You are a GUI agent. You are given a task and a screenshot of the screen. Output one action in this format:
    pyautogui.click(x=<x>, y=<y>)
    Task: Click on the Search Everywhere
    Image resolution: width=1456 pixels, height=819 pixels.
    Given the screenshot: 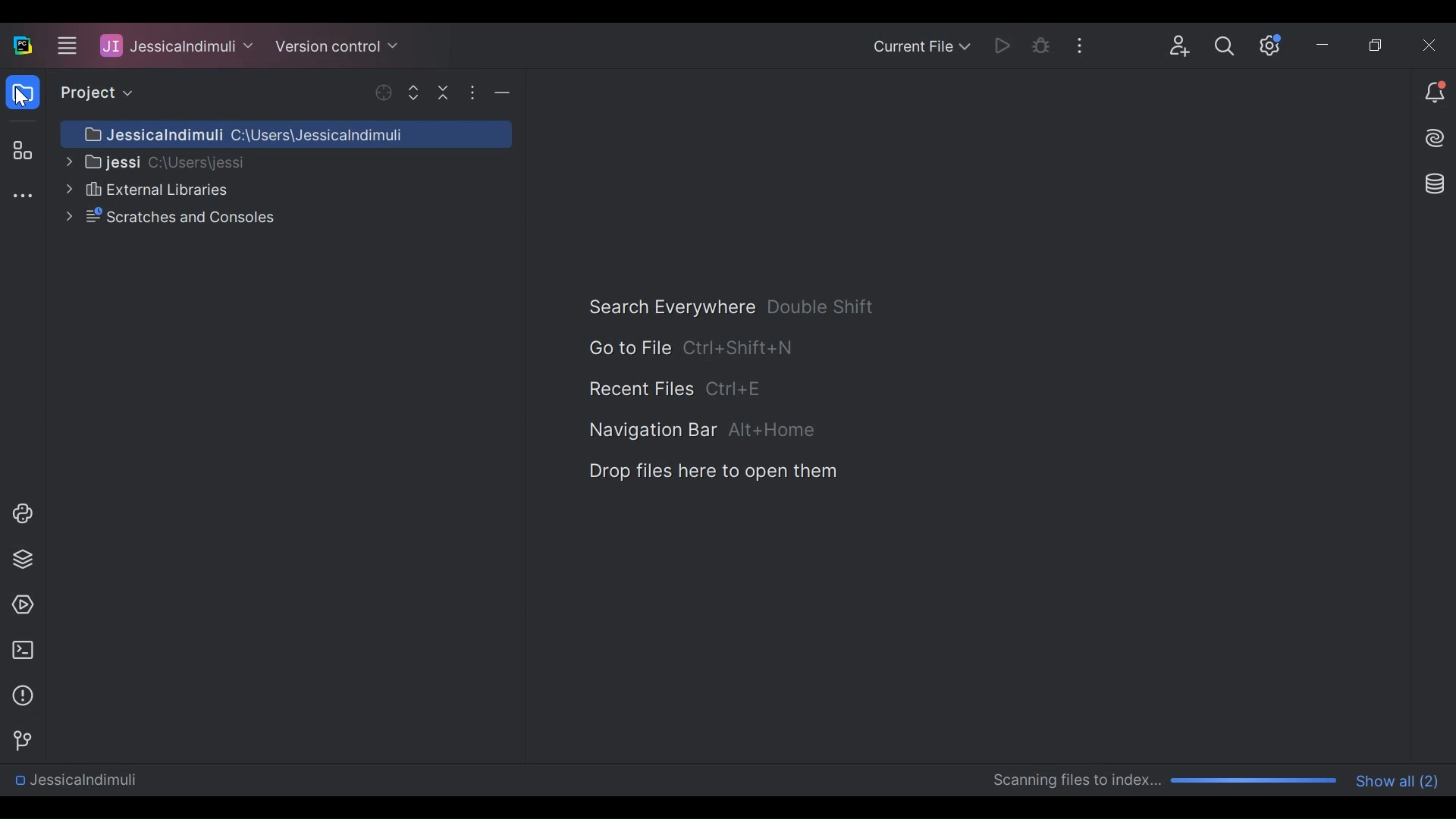 What is the action you would take?
    pyautogui.click(x=727, y=305)
    